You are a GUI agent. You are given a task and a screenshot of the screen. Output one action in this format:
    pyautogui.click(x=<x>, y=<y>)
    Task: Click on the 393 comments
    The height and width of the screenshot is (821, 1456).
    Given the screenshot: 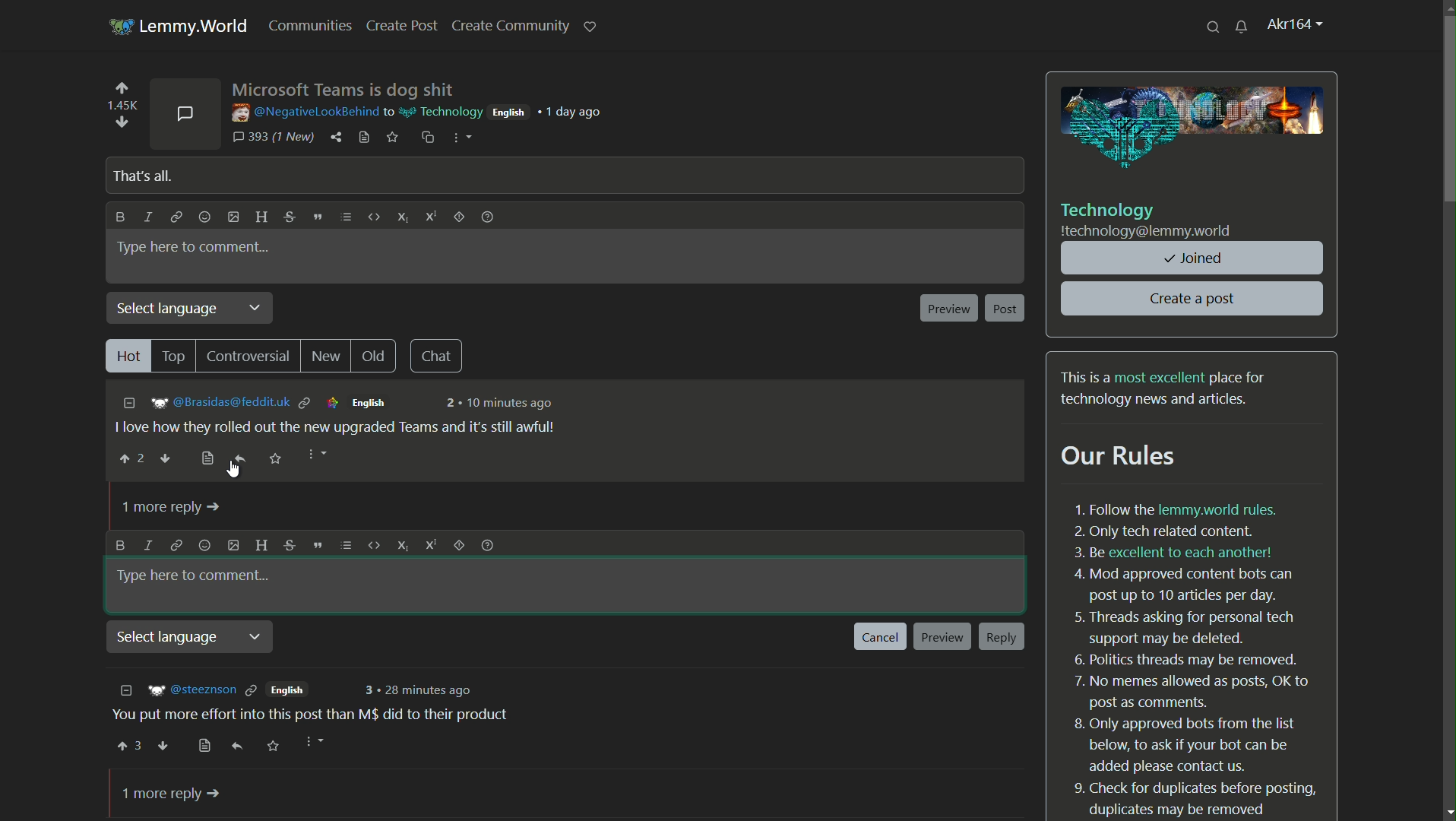 What is the action you would take?
    pyautogui.click(x=273, y=138)
    